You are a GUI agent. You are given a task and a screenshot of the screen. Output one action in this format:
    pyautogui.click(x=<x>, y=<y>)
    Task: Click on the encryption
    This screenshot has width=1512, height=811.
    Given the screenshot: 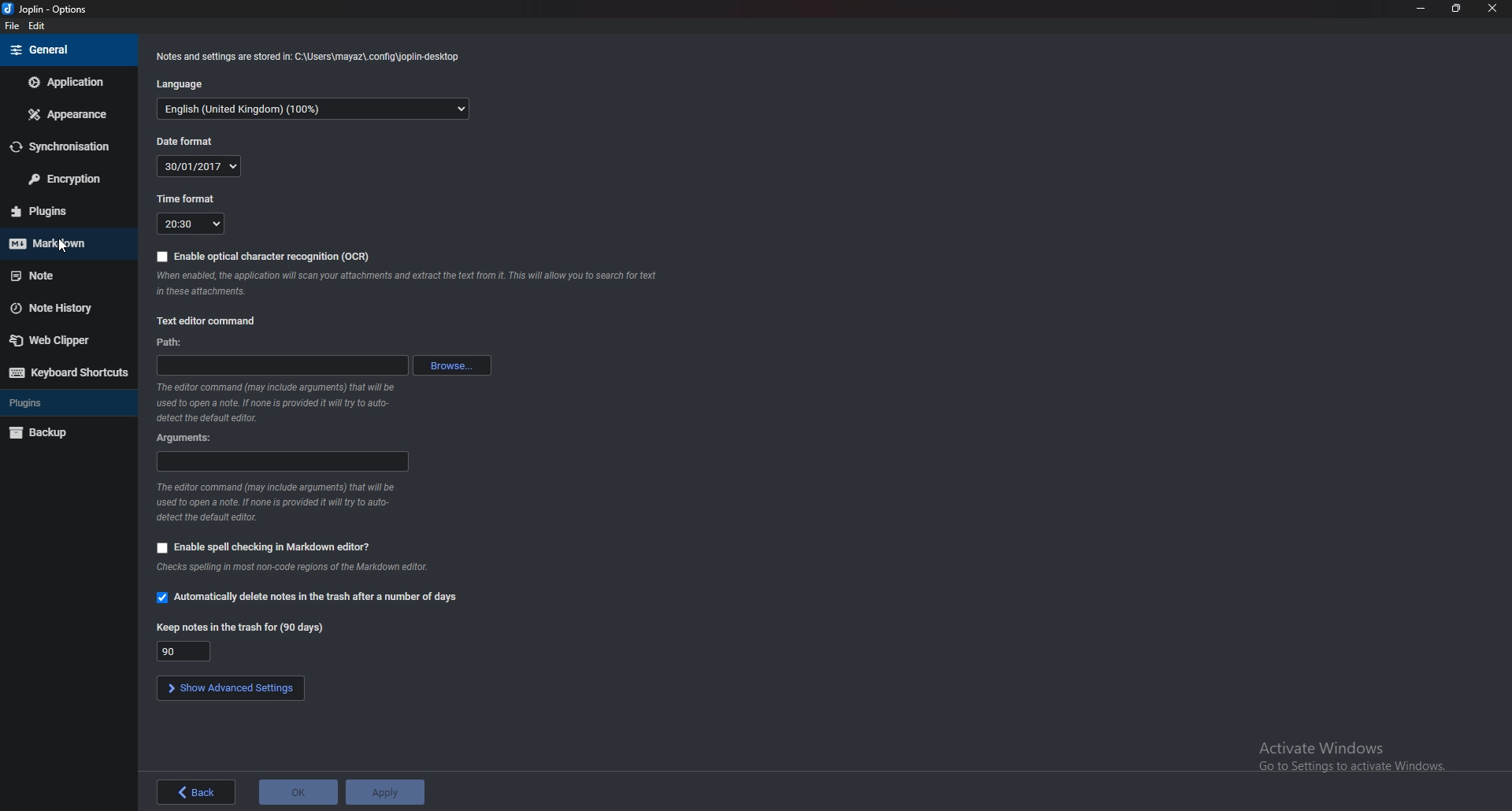 What is the action you would take?
    pyautogui.click(x=68, y=179)
    